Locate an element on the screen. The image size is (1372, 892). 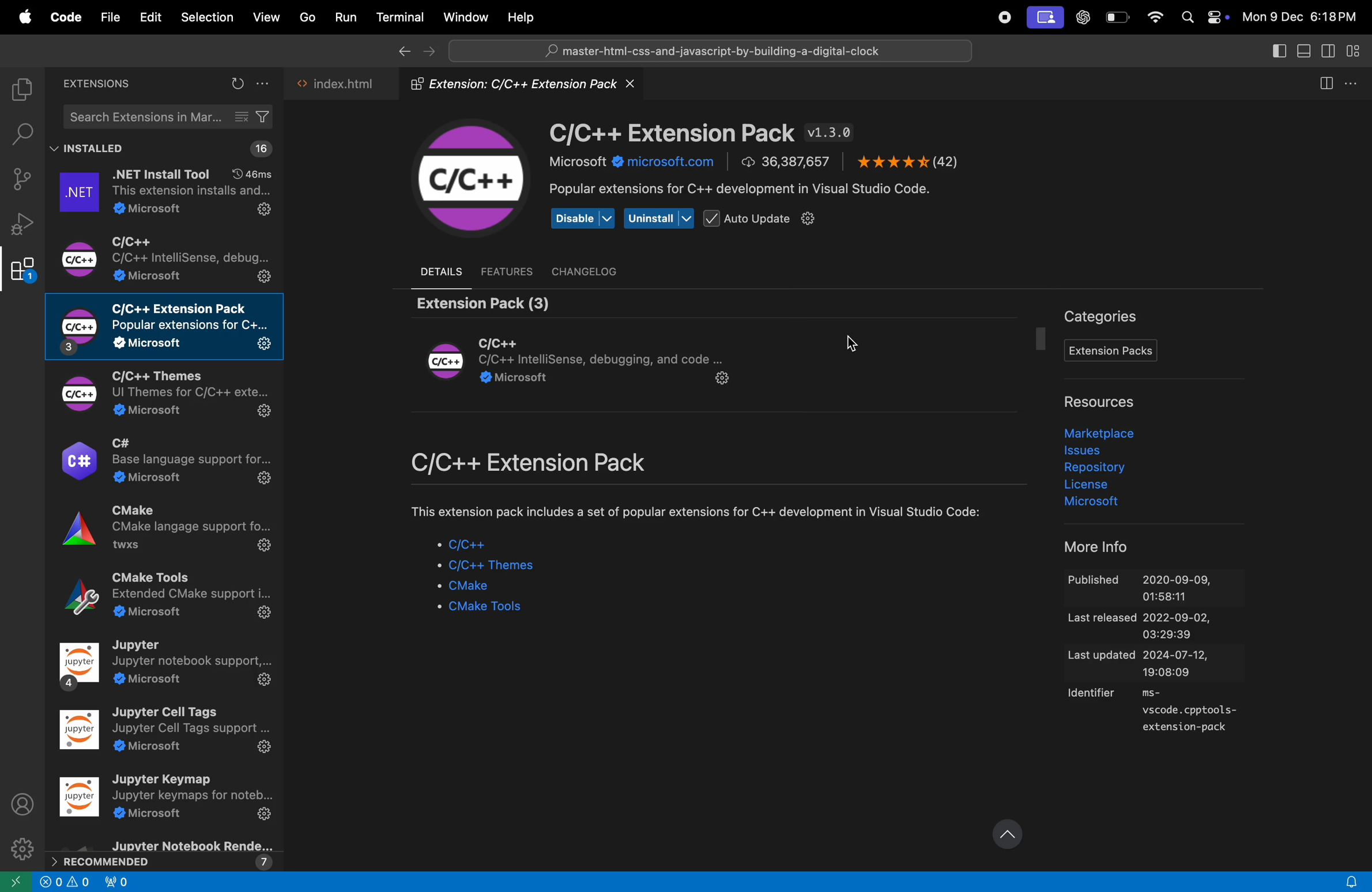
c/C++ is located at coordinates (469, 547).